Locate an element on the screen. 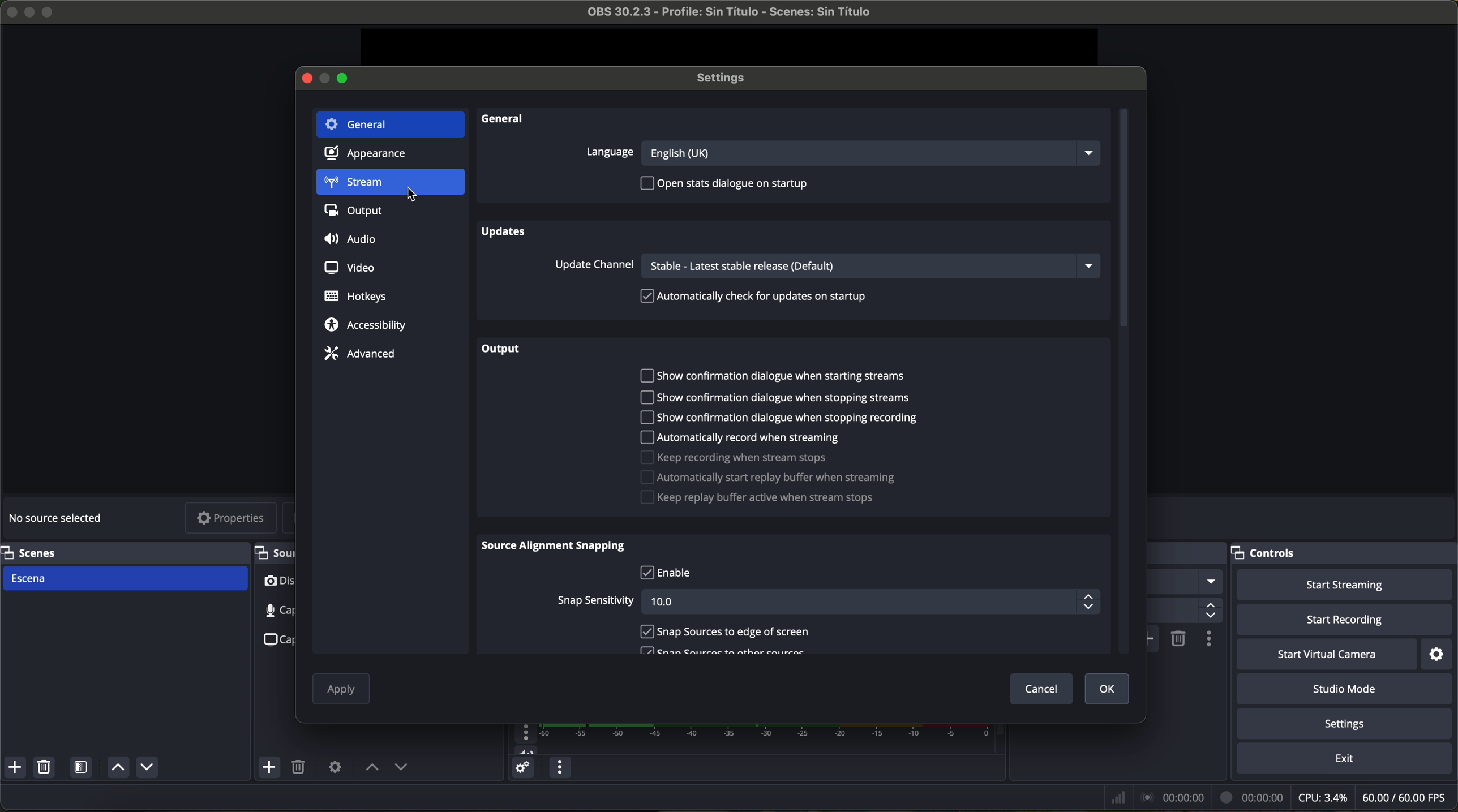 The image size is (1458, 812). OK button is located at coordinates (1107, 688).